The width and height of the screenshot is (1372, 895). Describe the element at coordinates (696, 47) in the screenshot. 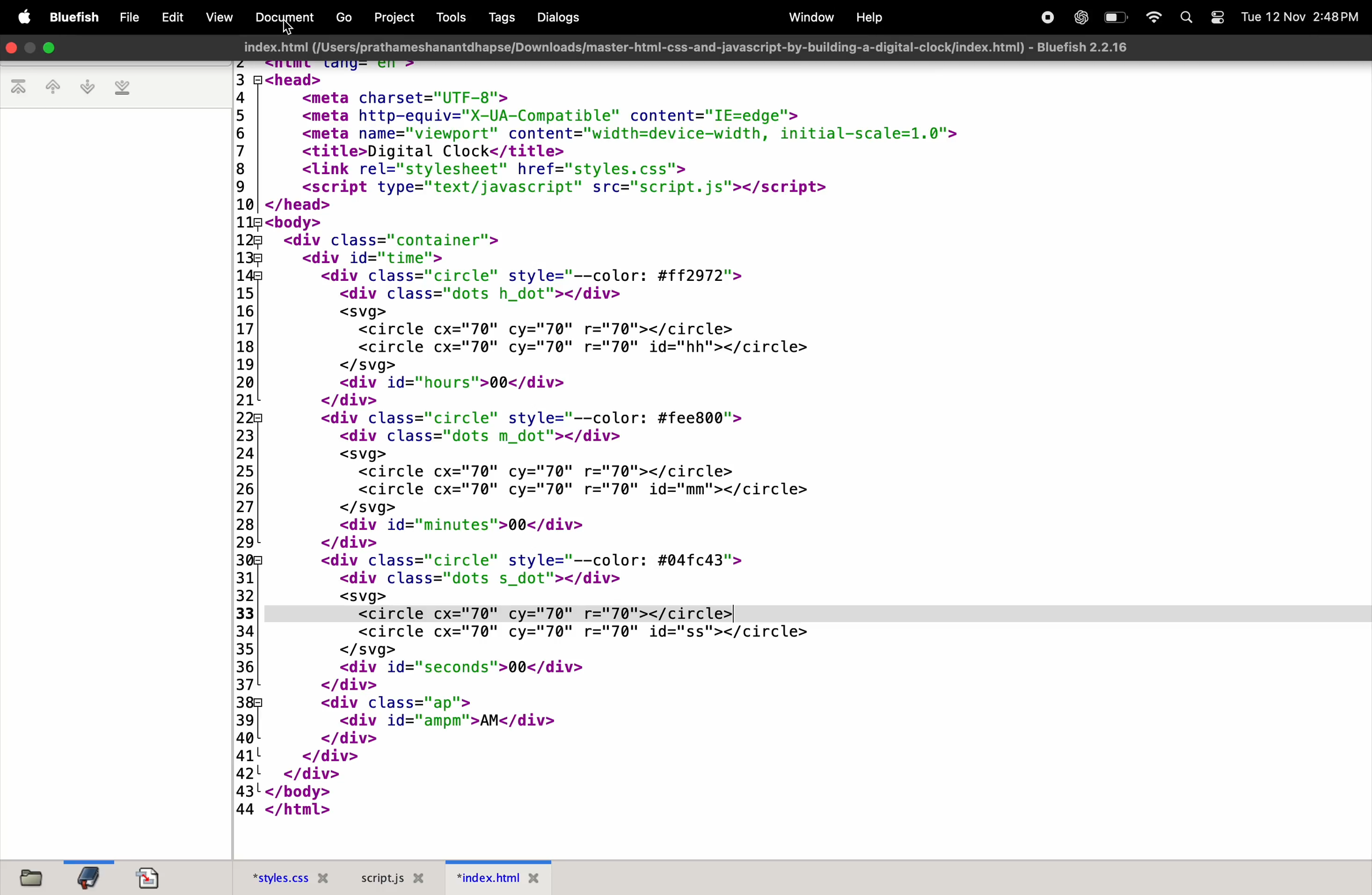

I see `page title` at that location.